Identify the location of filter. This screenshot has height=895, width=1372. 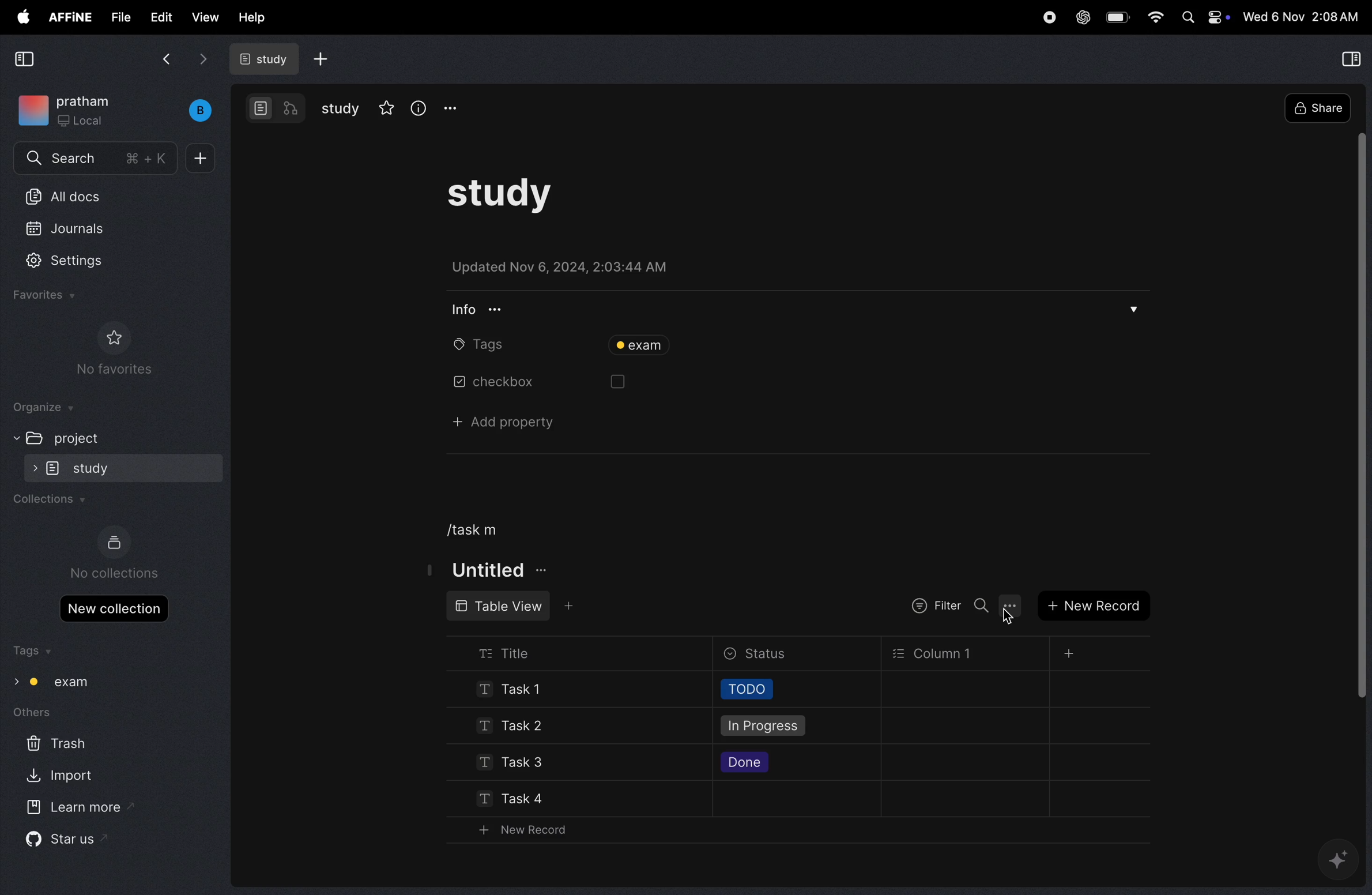
(932, 606).